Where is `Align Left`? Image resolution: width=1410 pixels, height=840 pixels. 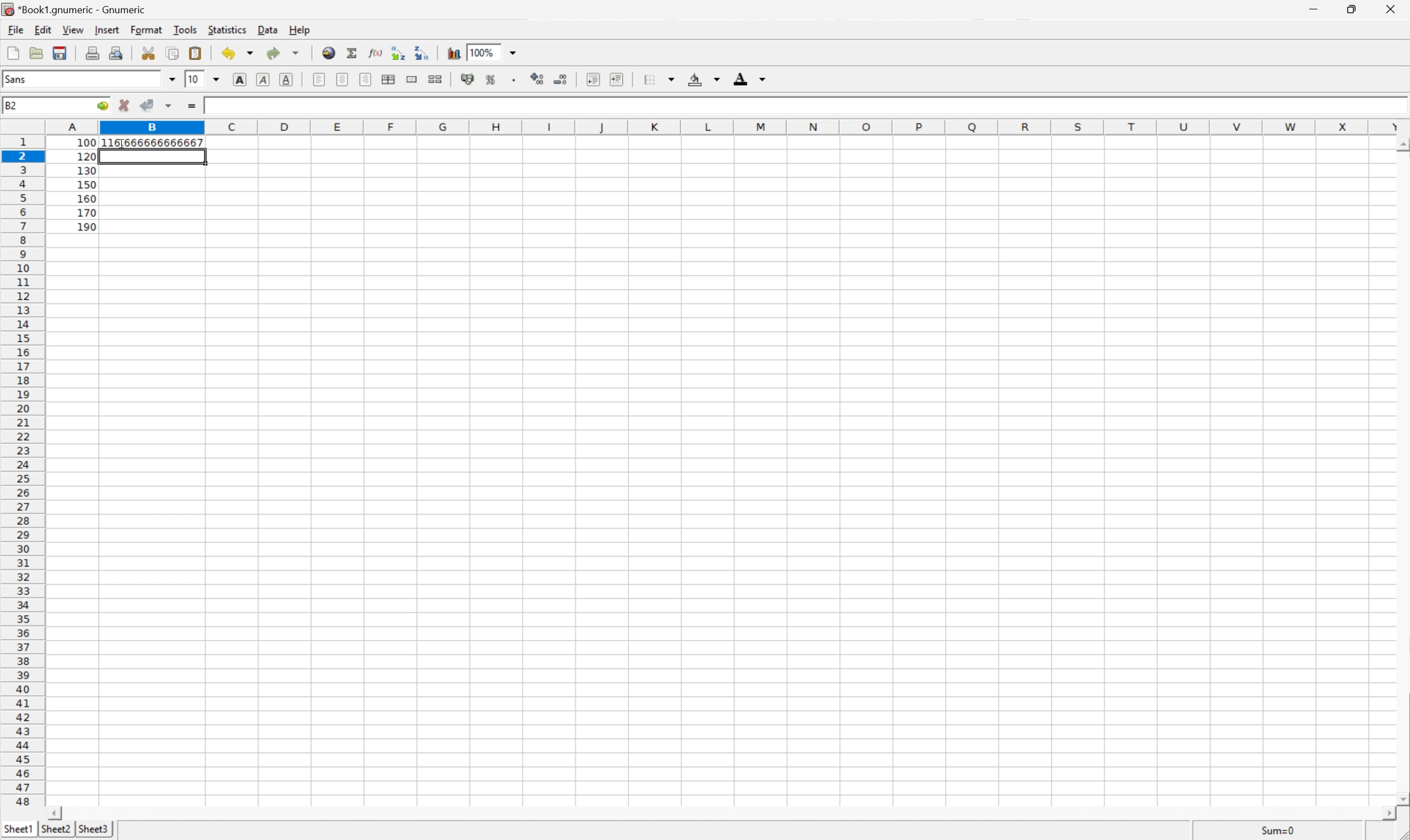
Align Left is located at coordinates (318, 79).